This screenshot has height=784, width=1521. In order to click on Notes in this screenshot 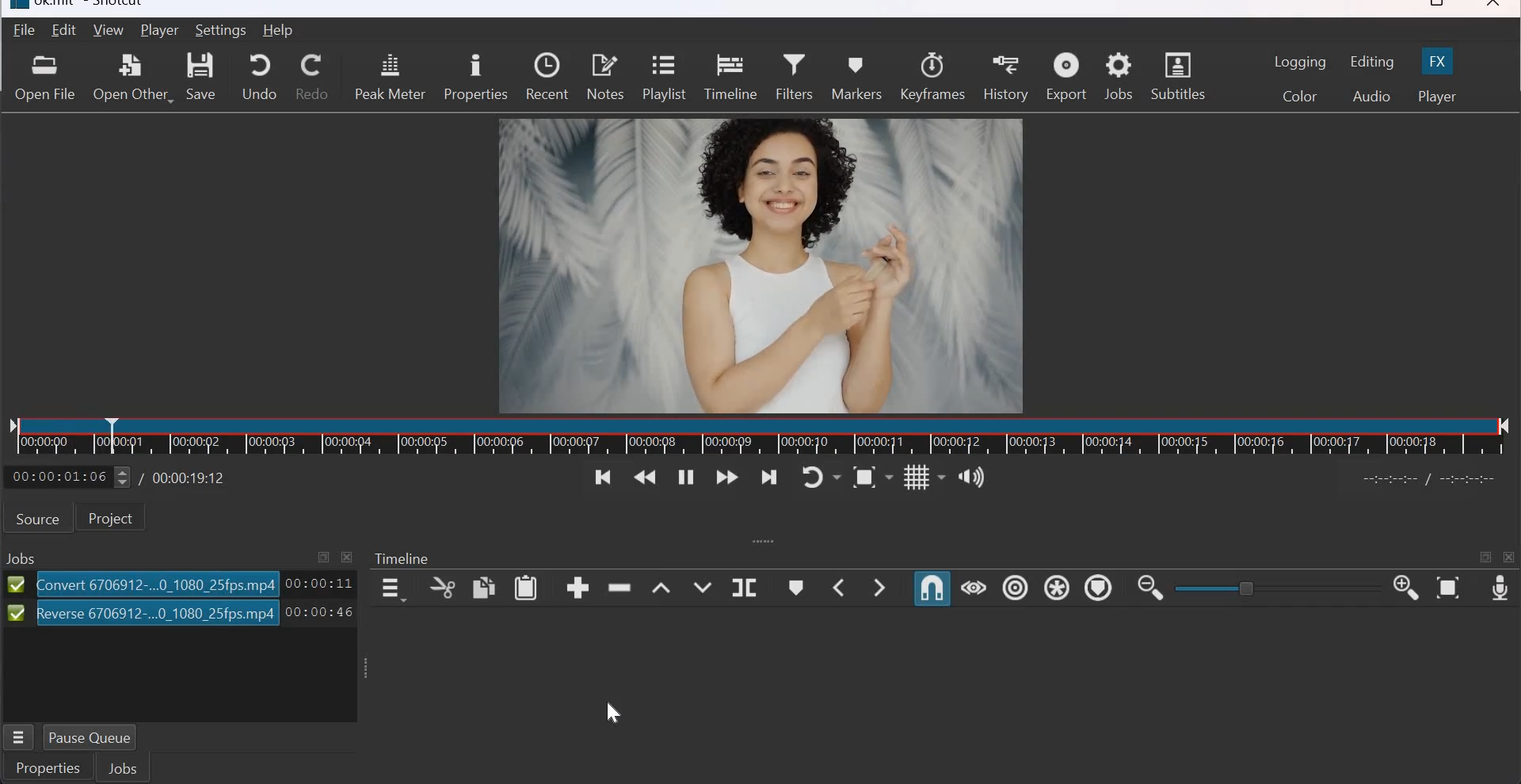, I will do `click(606, 77)`.